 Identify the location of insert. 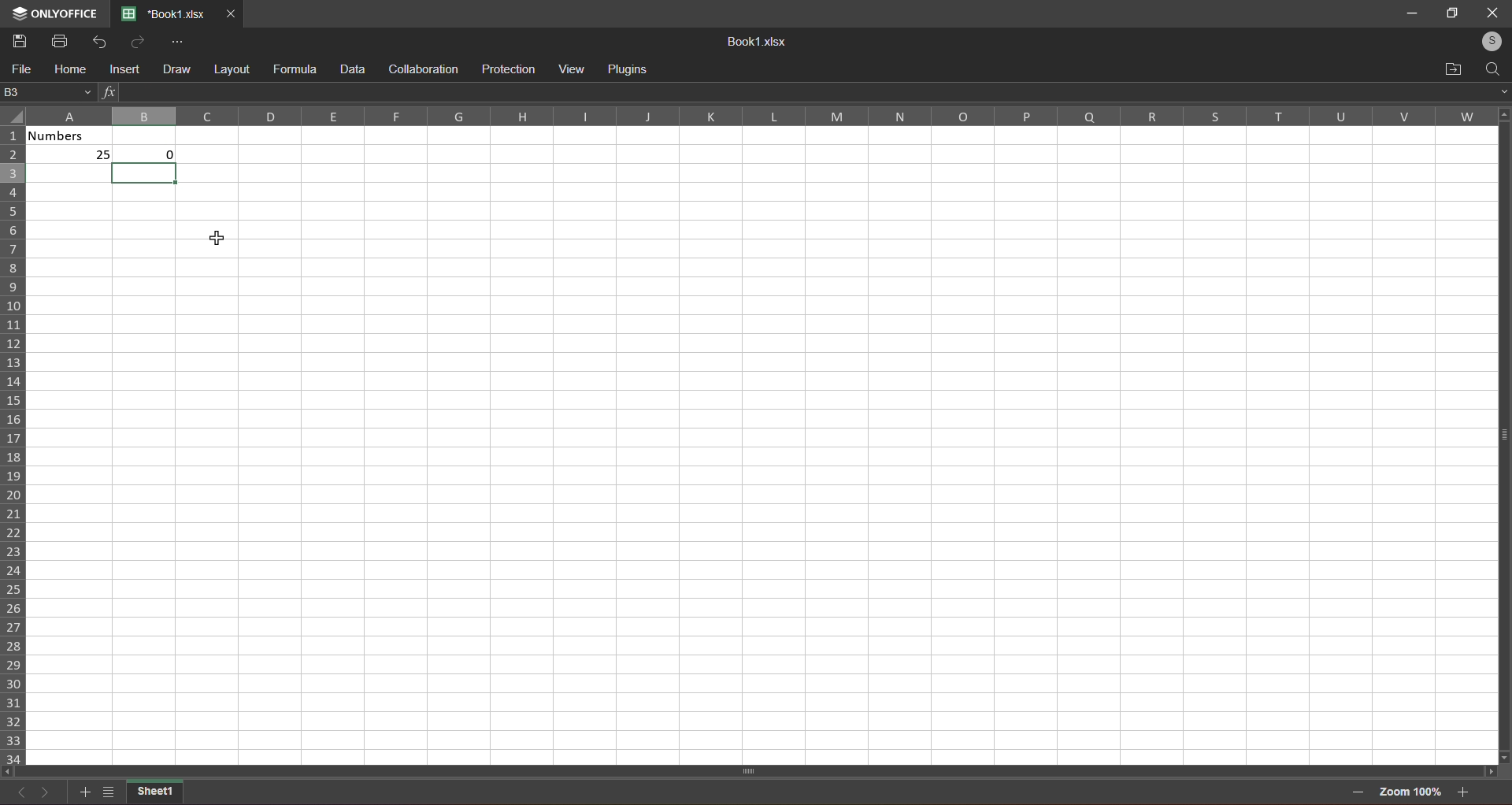
(120, 70).